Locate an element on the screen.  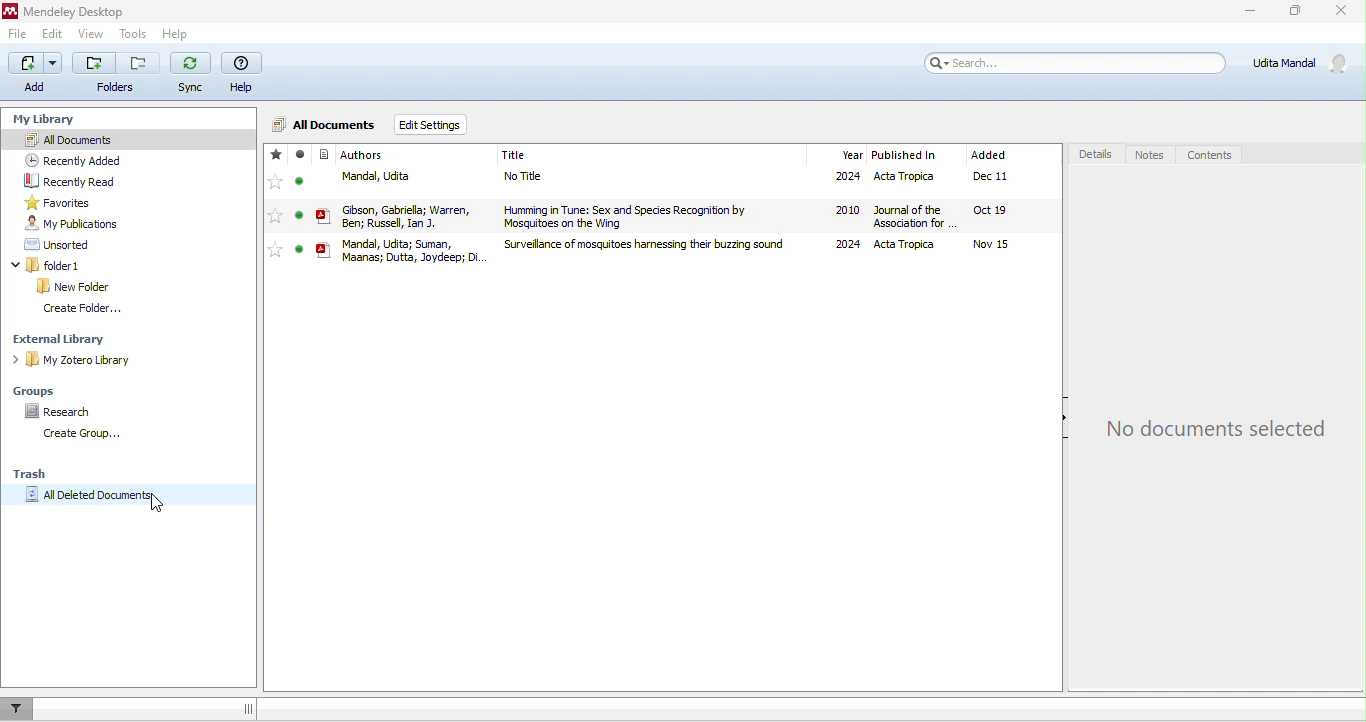
my zotero library is located at coordinates (80, 362).